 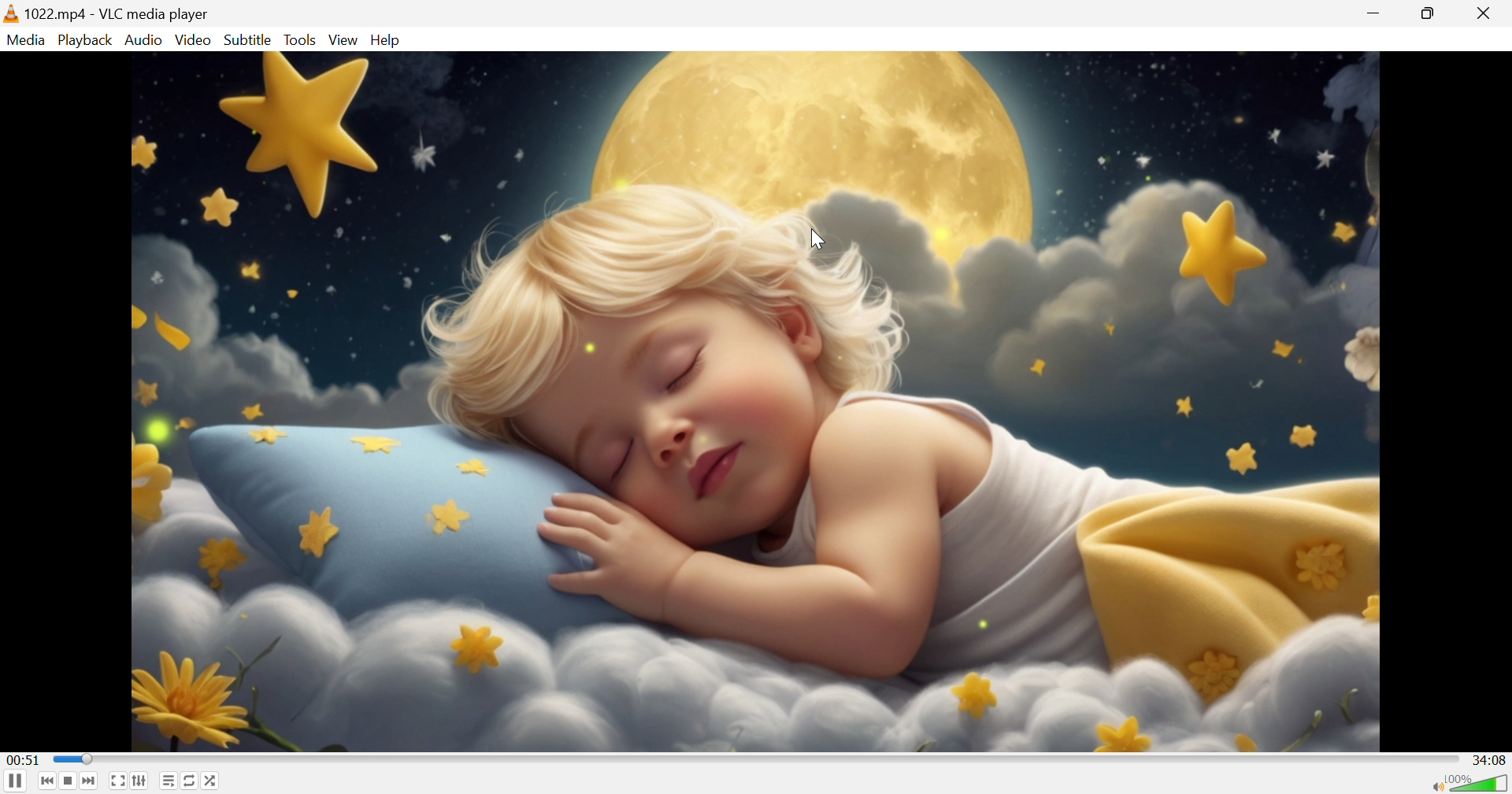 What do you see at coordinates (1378, 11) in the screenshot?
I see `Minimize` at bounding box center [1378, 11].